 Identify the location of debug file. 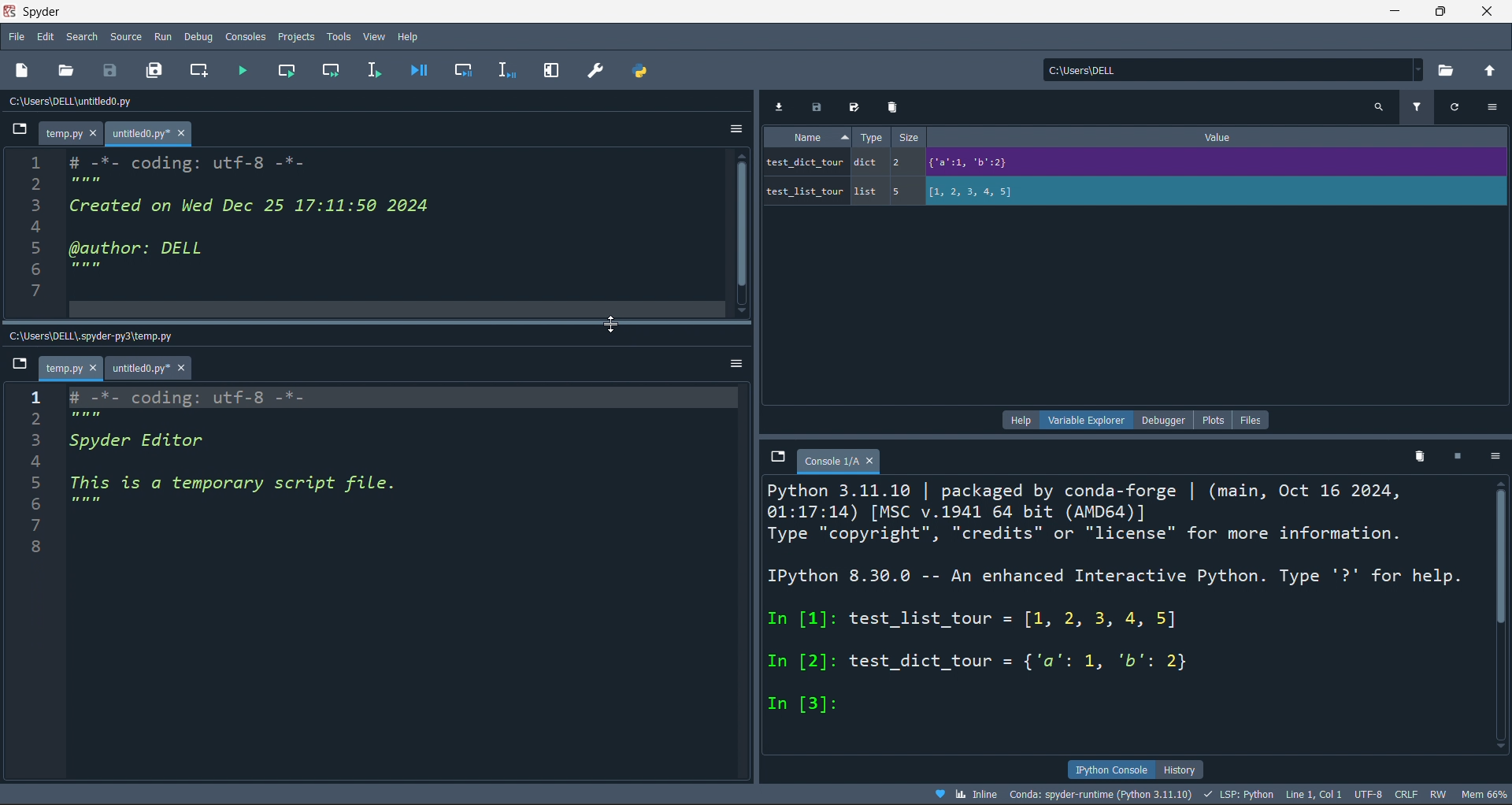
(424, 71).